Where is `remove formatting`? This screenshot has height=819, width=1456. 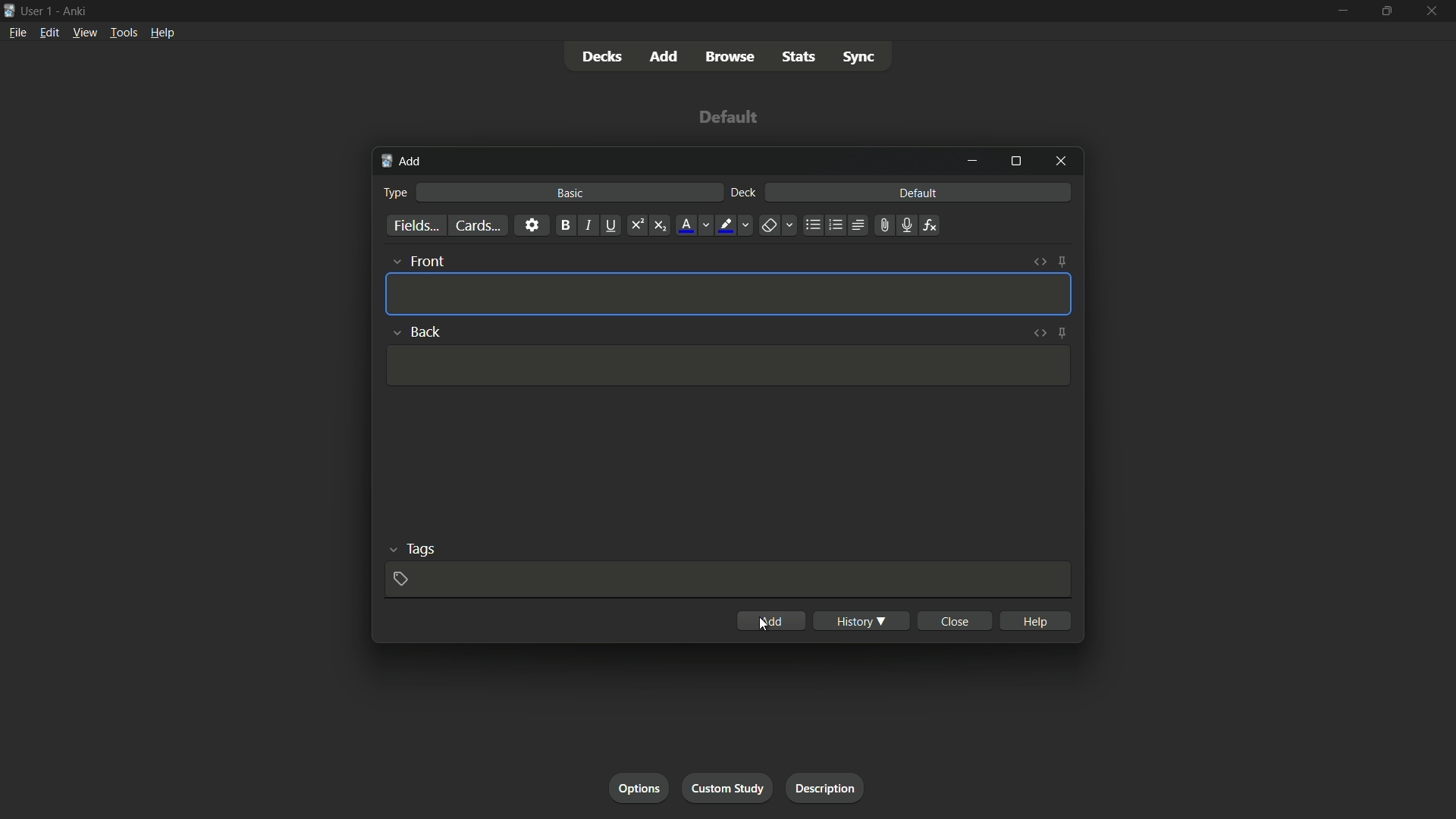
remove formatting is located at coordinates (776, 225).